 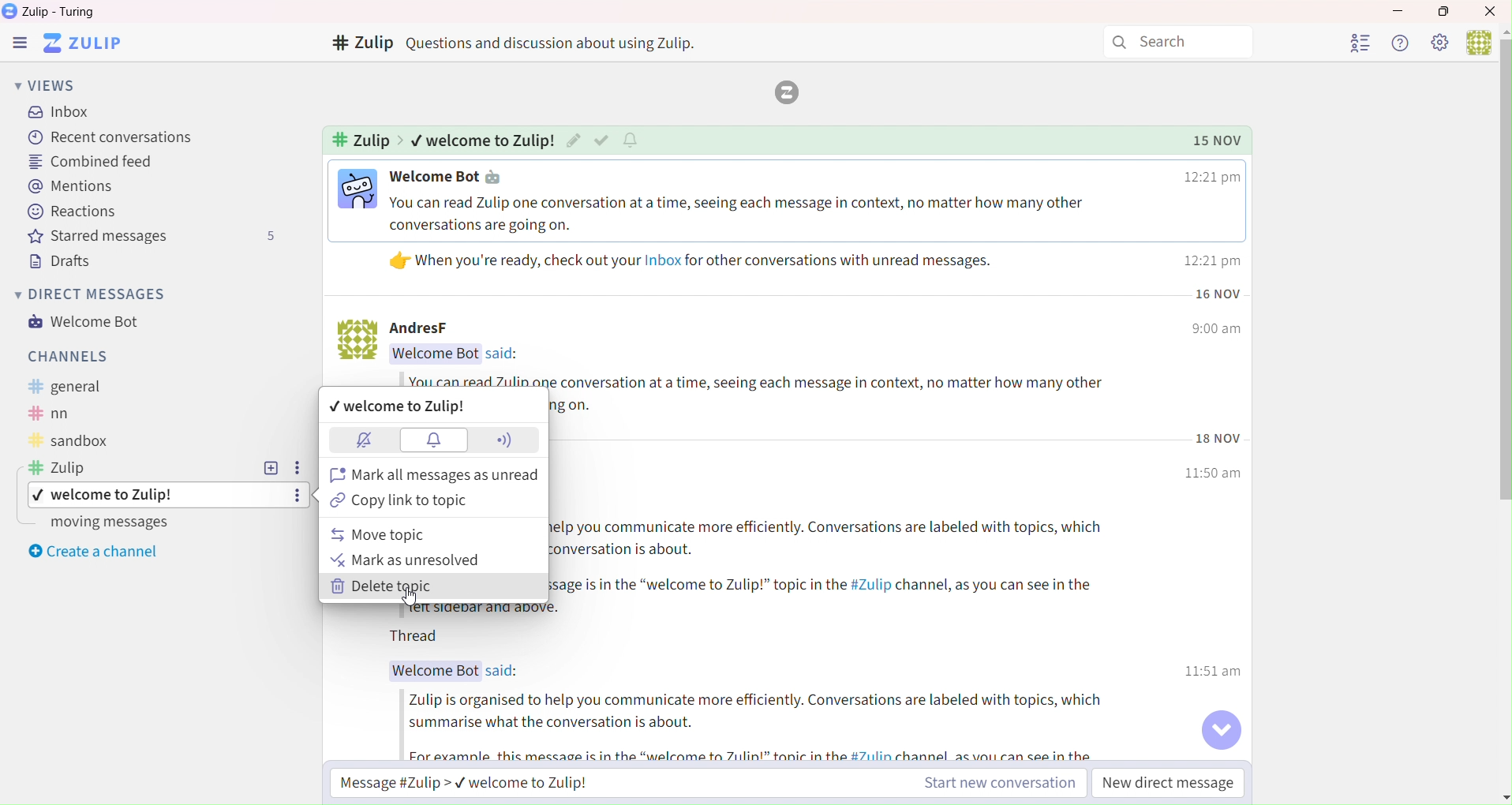 I want to click on Notifications, so click(x=631, y=140).